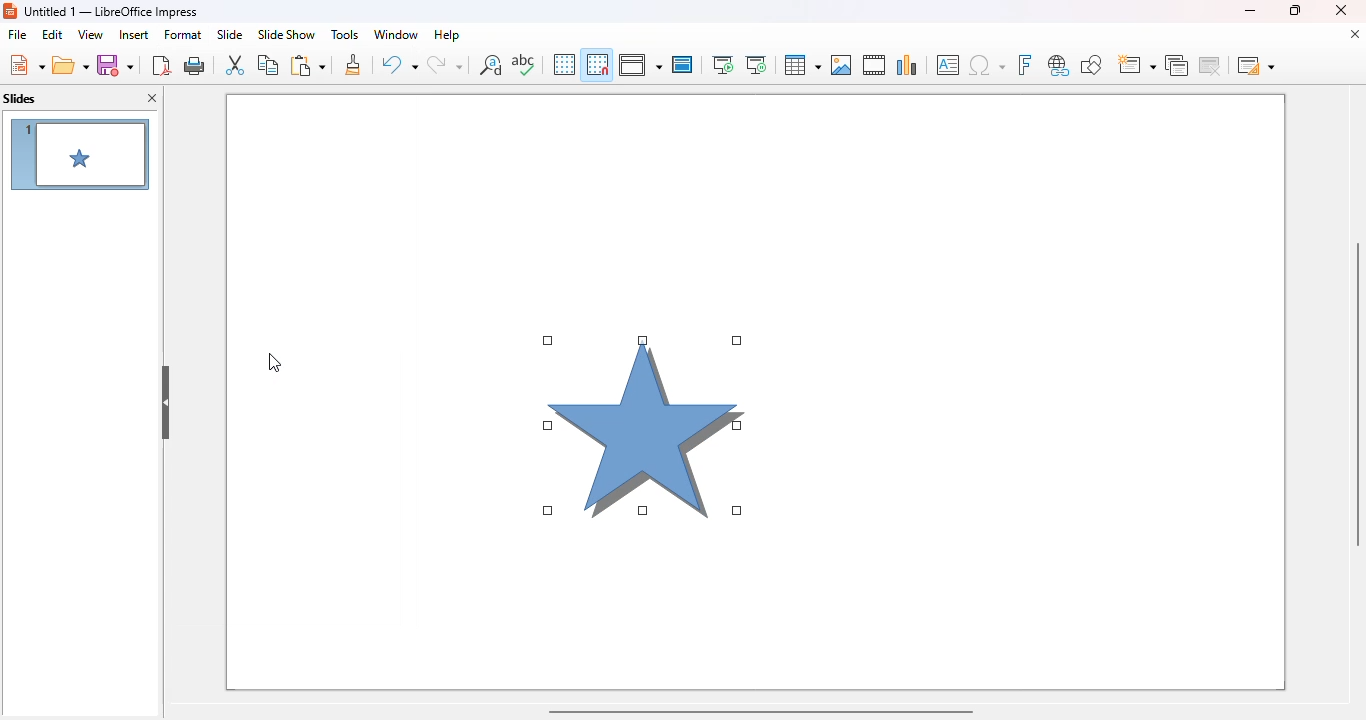 The image size is (1366, 720). What do you see at coordinates (722, 65) in the screenshot?
I see `start from first slide` at bounding box center [722, 65].